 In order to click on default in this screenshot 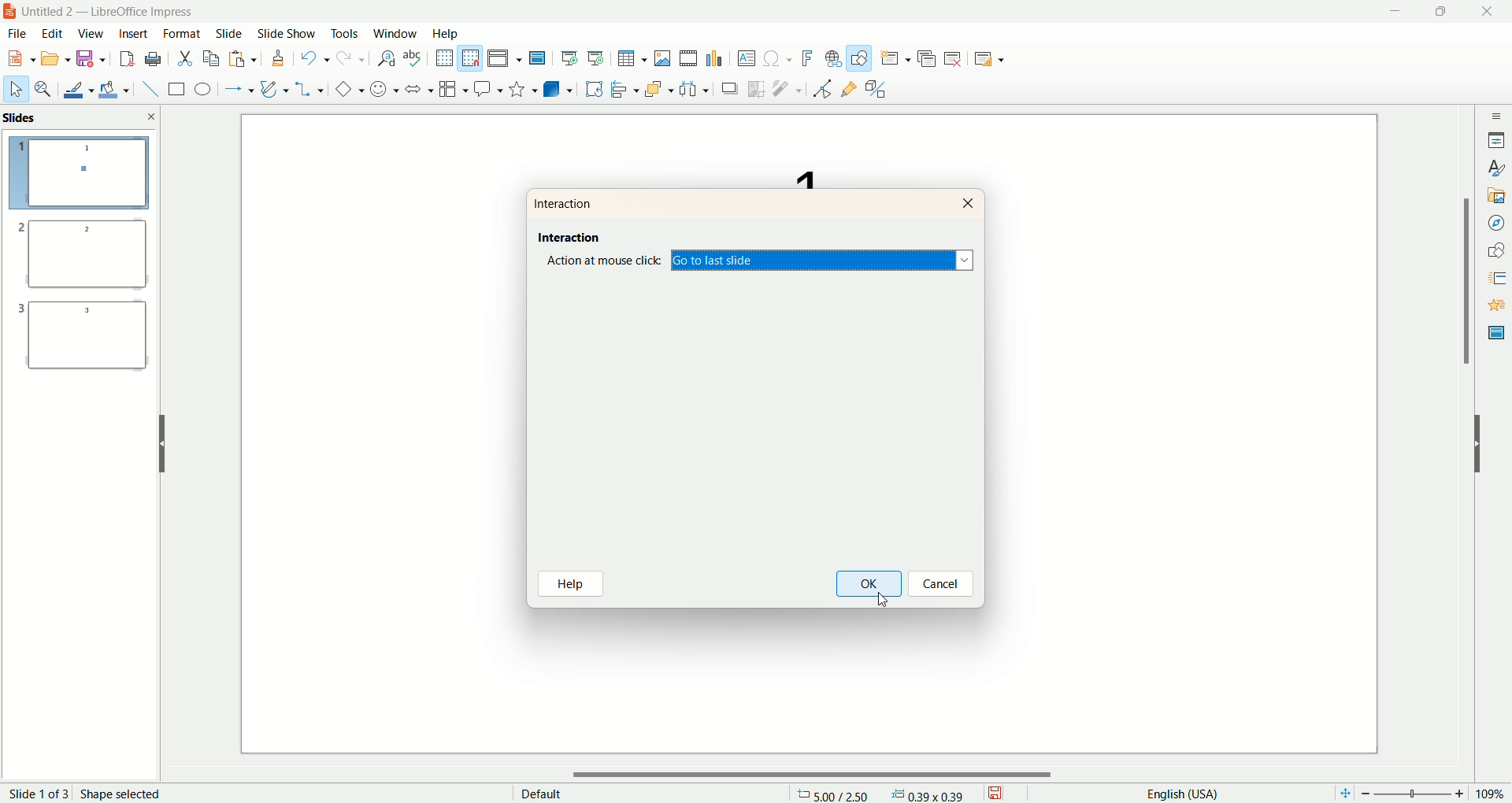, I will do `click(539, 792)`.